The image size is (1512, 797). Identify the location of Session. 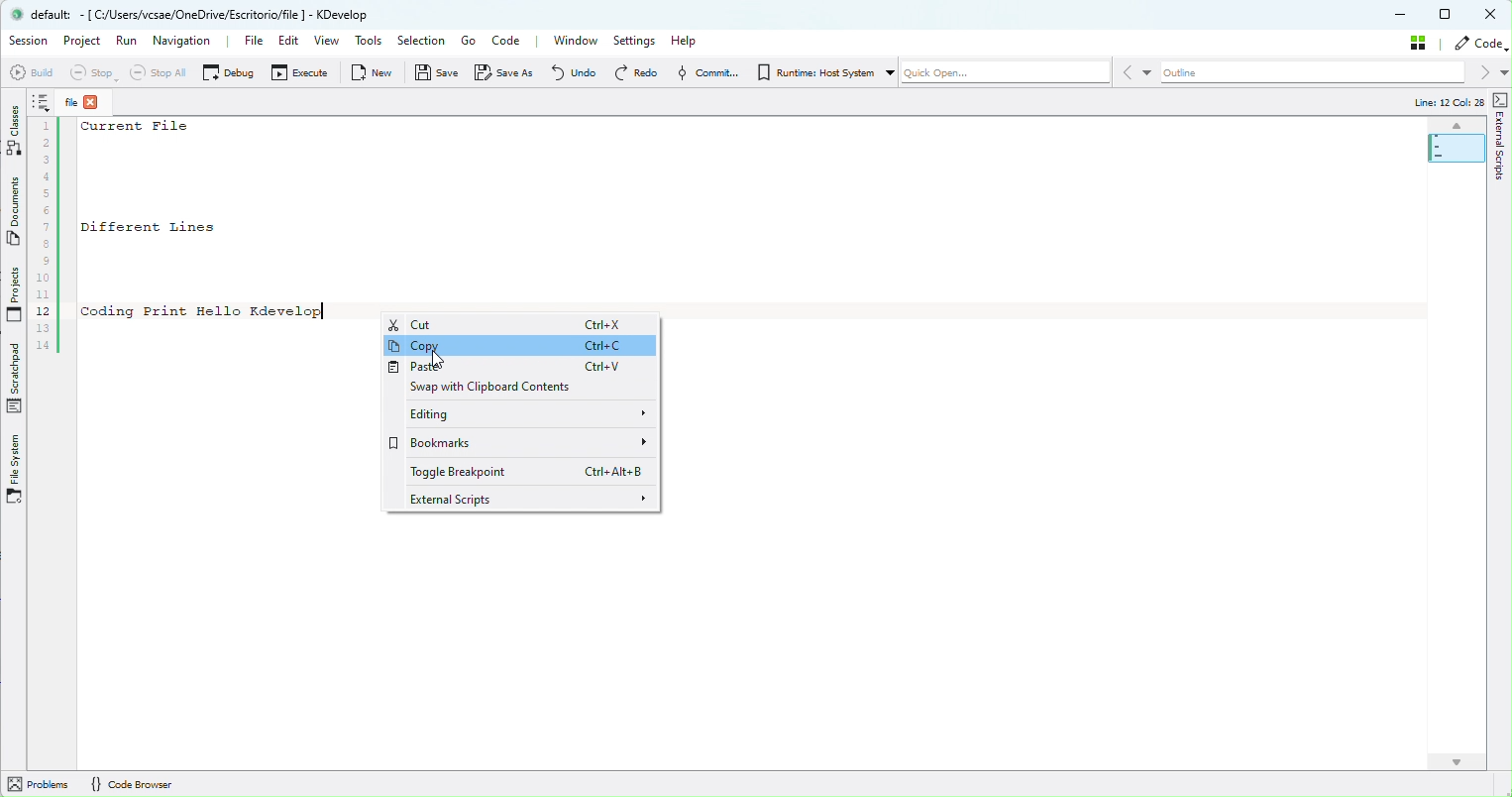
(30, 41).